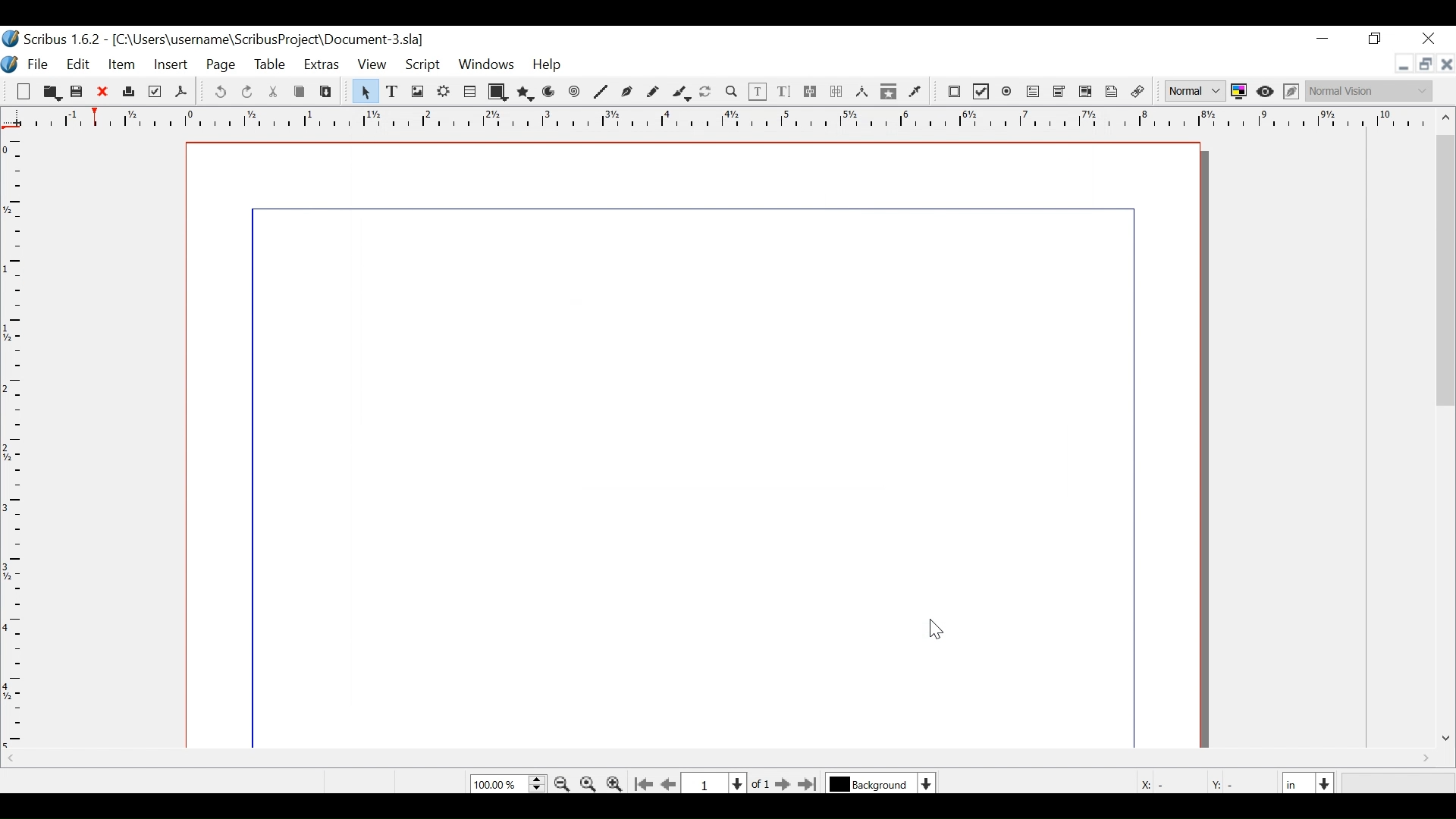  I want to click on Freehand, so click(652, 93).